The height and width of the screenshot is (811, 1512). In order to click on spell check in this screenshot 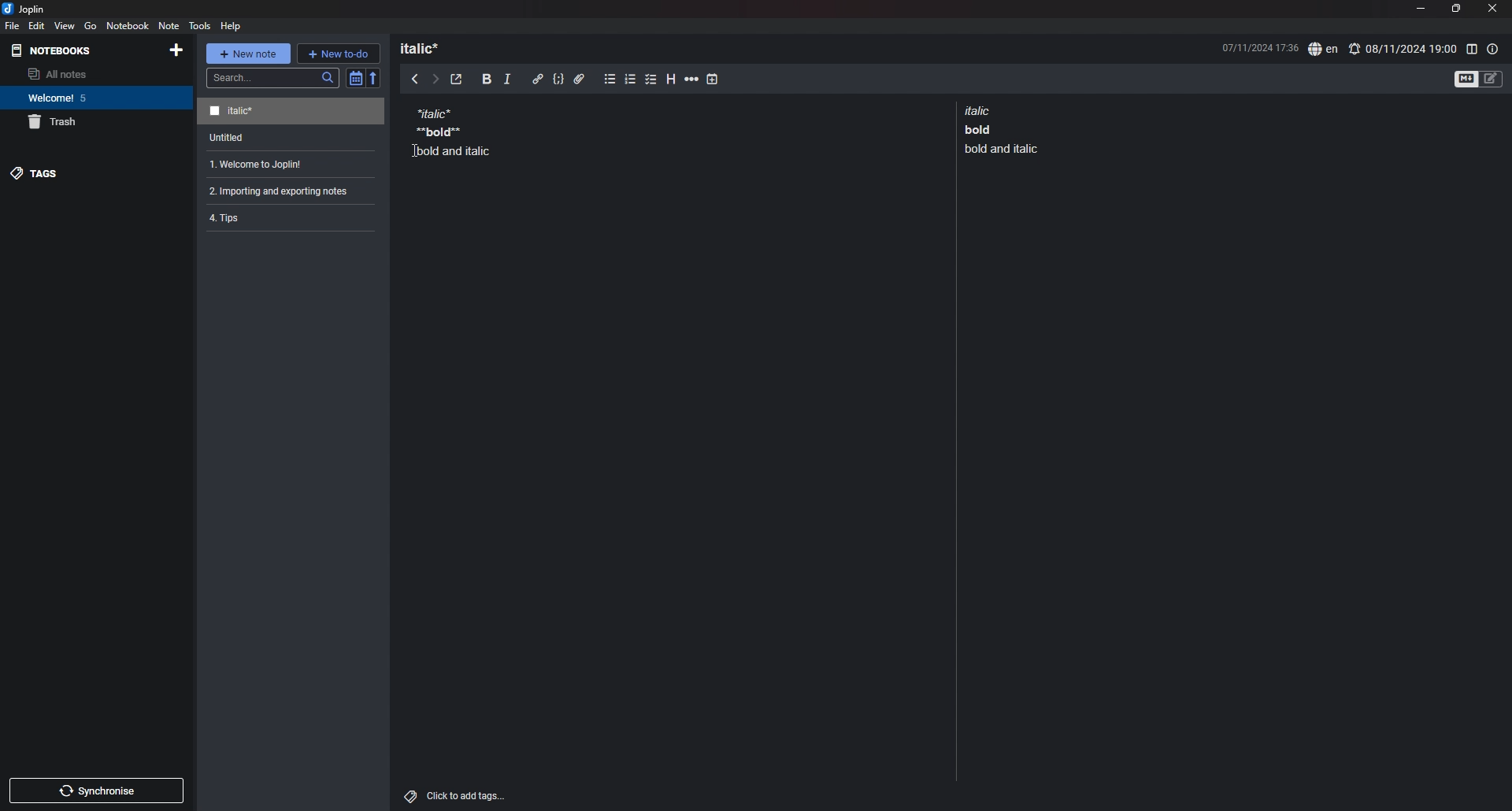, I will do `click(1323, 50)`.